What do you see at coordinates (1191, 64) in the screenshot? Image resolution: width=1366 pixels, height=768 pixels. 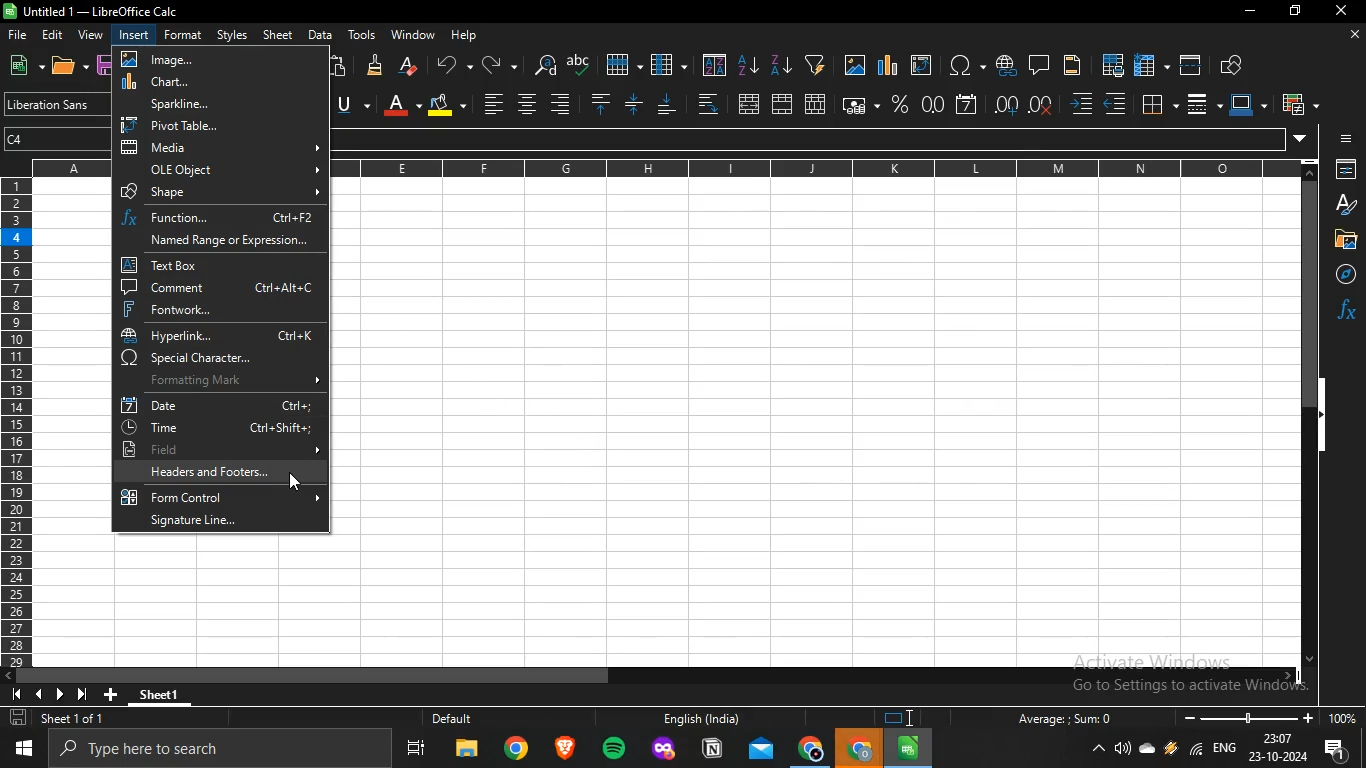 I see `split window` at bounding box center [1191, 64].